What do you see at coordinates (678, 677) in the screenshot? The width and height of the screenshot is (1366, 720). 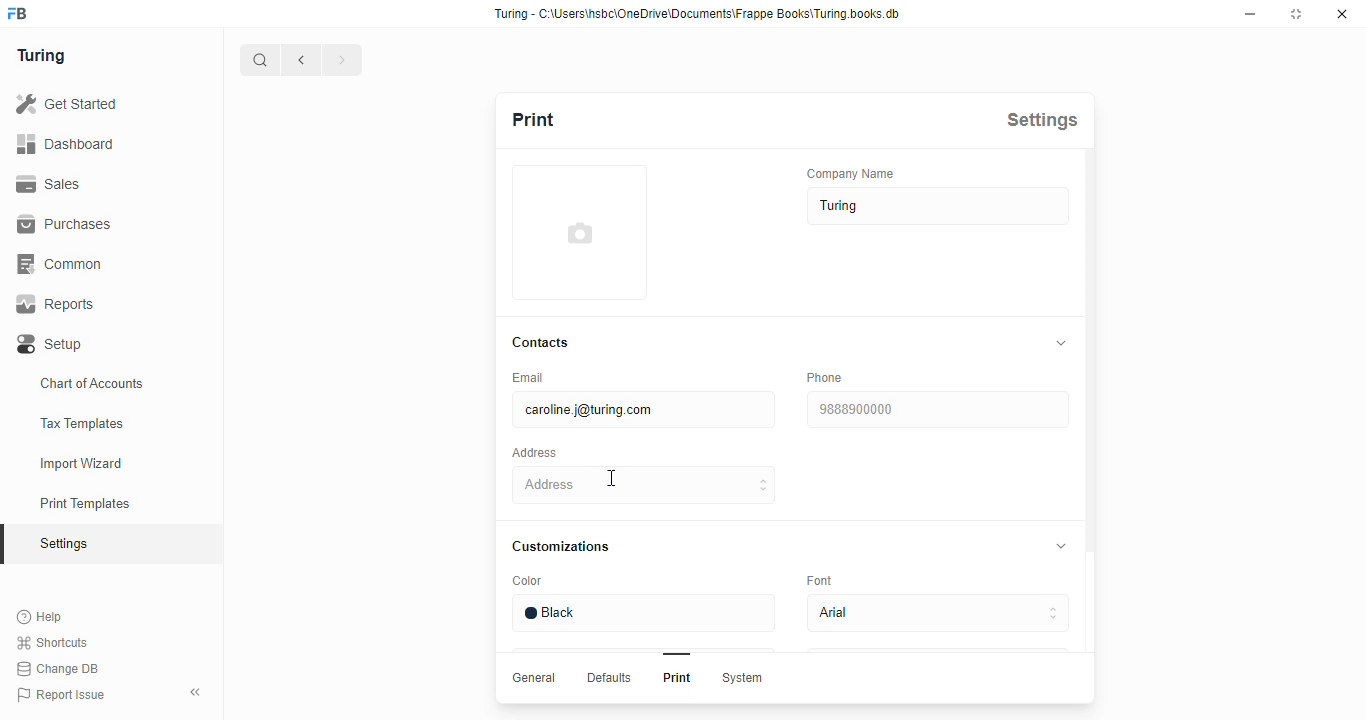 I see `Print` at bounding box center [678, 677].